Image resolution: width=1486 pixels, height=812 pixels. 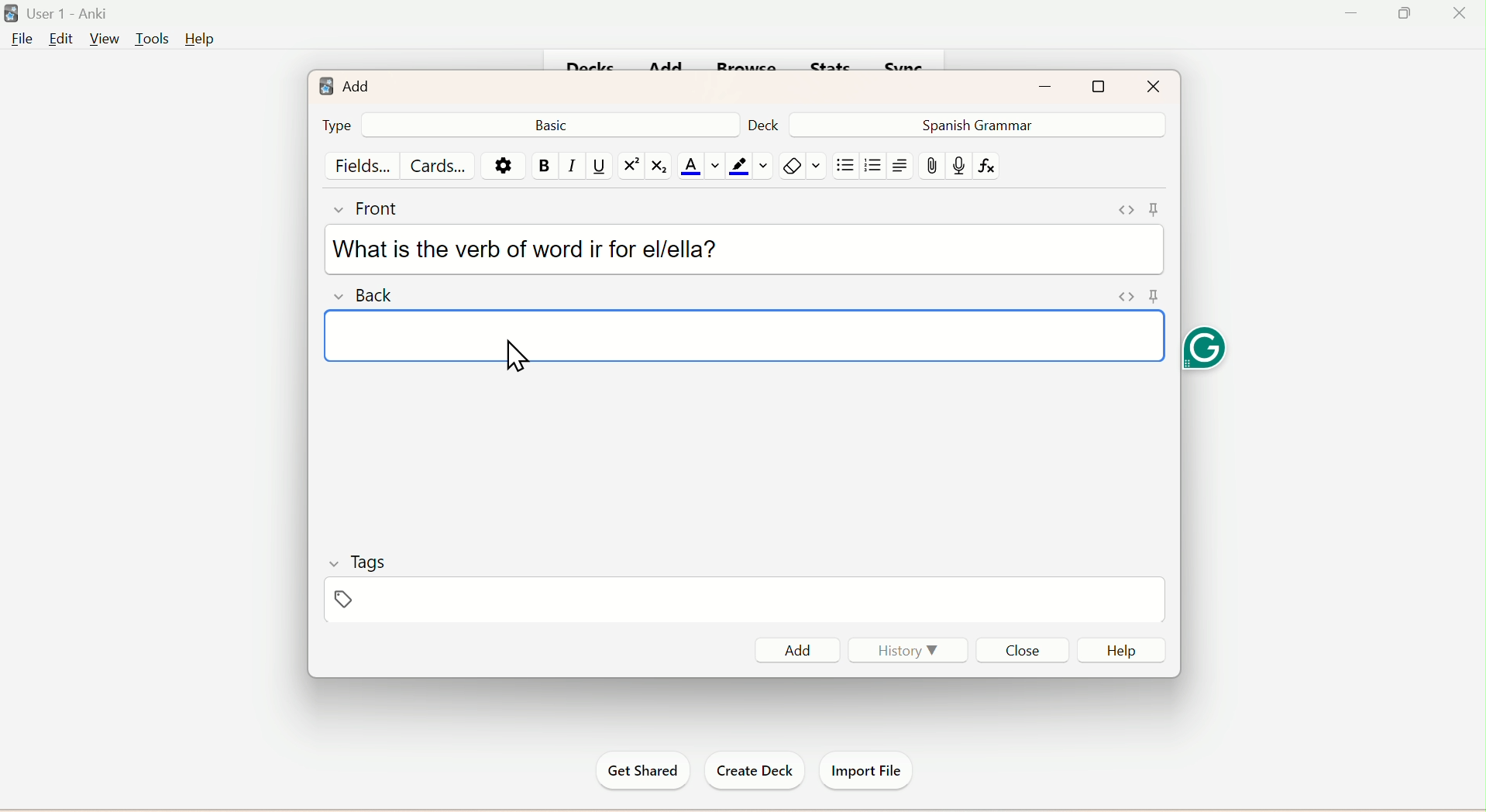 What do you see at coordinates (628, 166) in the screenshot?
I see `Superscript` at bounding box center [628, 166].